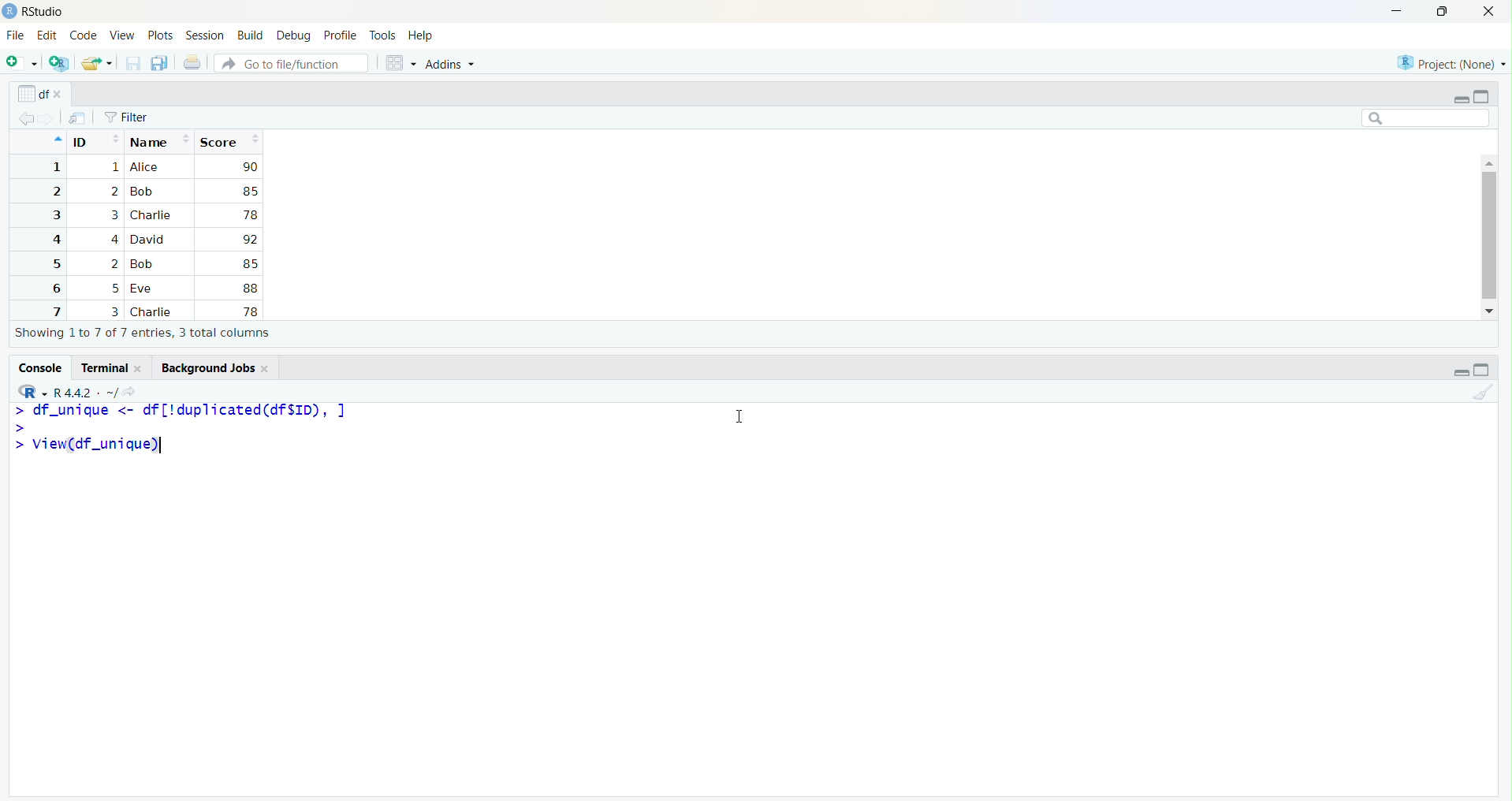 This screenshot has height=801, width=1512. I want to click on resize, so click(1443, 12).